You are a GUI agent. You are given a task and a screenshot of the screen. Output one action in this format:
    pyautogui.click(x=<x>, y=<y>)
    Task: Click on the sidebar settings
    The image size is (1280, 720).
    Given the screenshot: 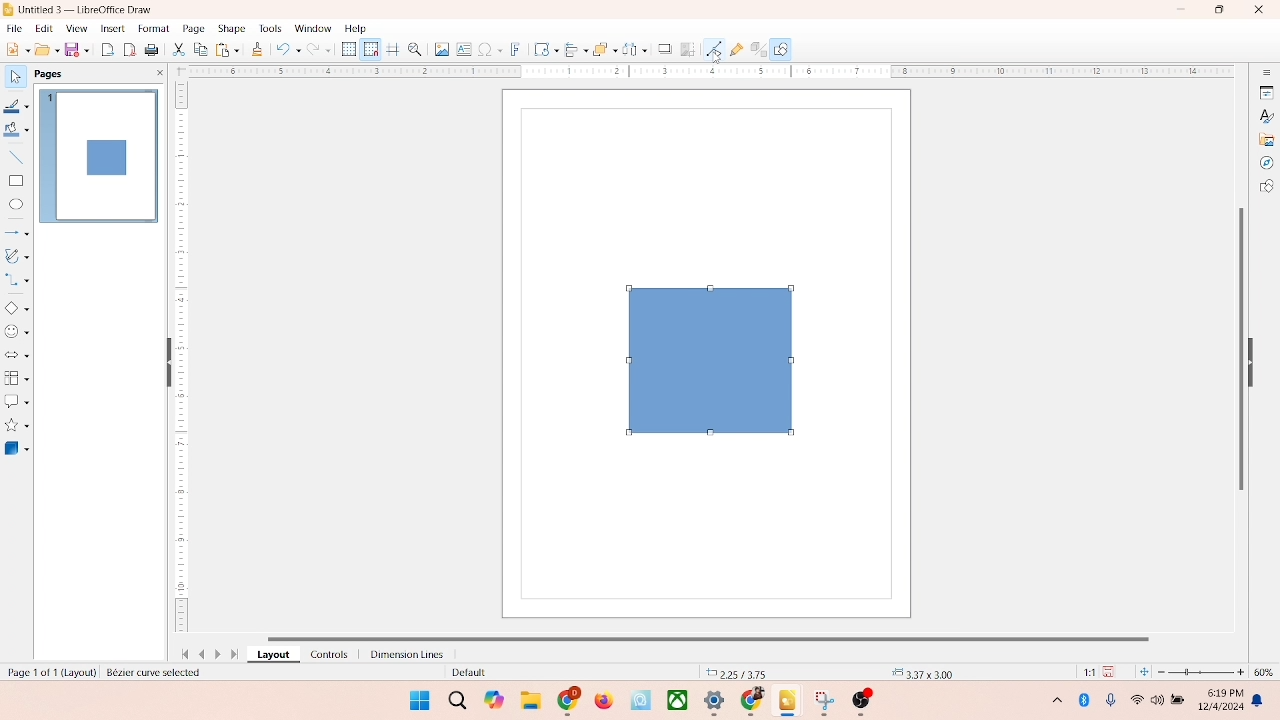 What is the action you would take?
    pyautogui.click(x=1266, y=73)
    